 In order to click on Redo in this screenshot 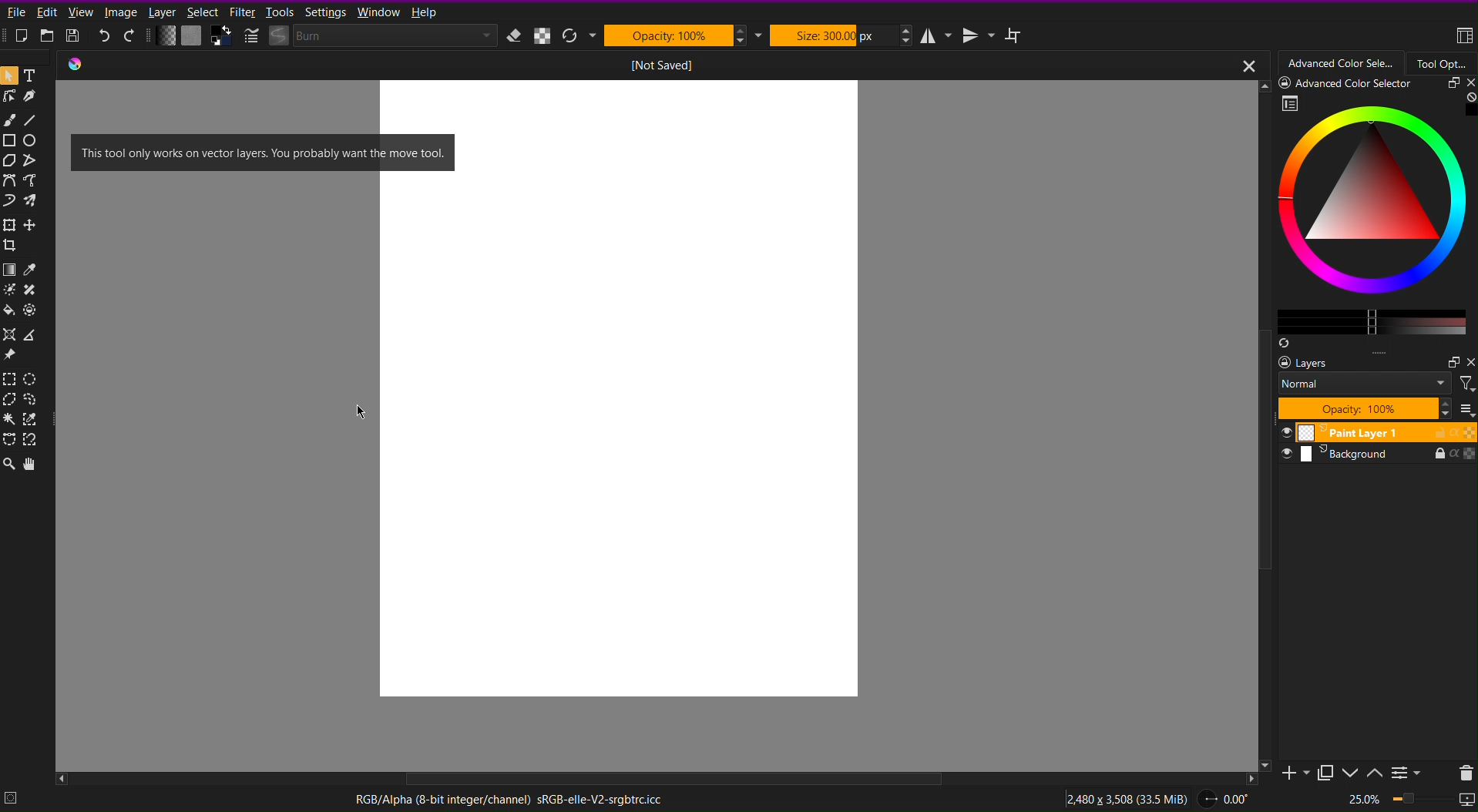, I will do `click(130, 37)`.